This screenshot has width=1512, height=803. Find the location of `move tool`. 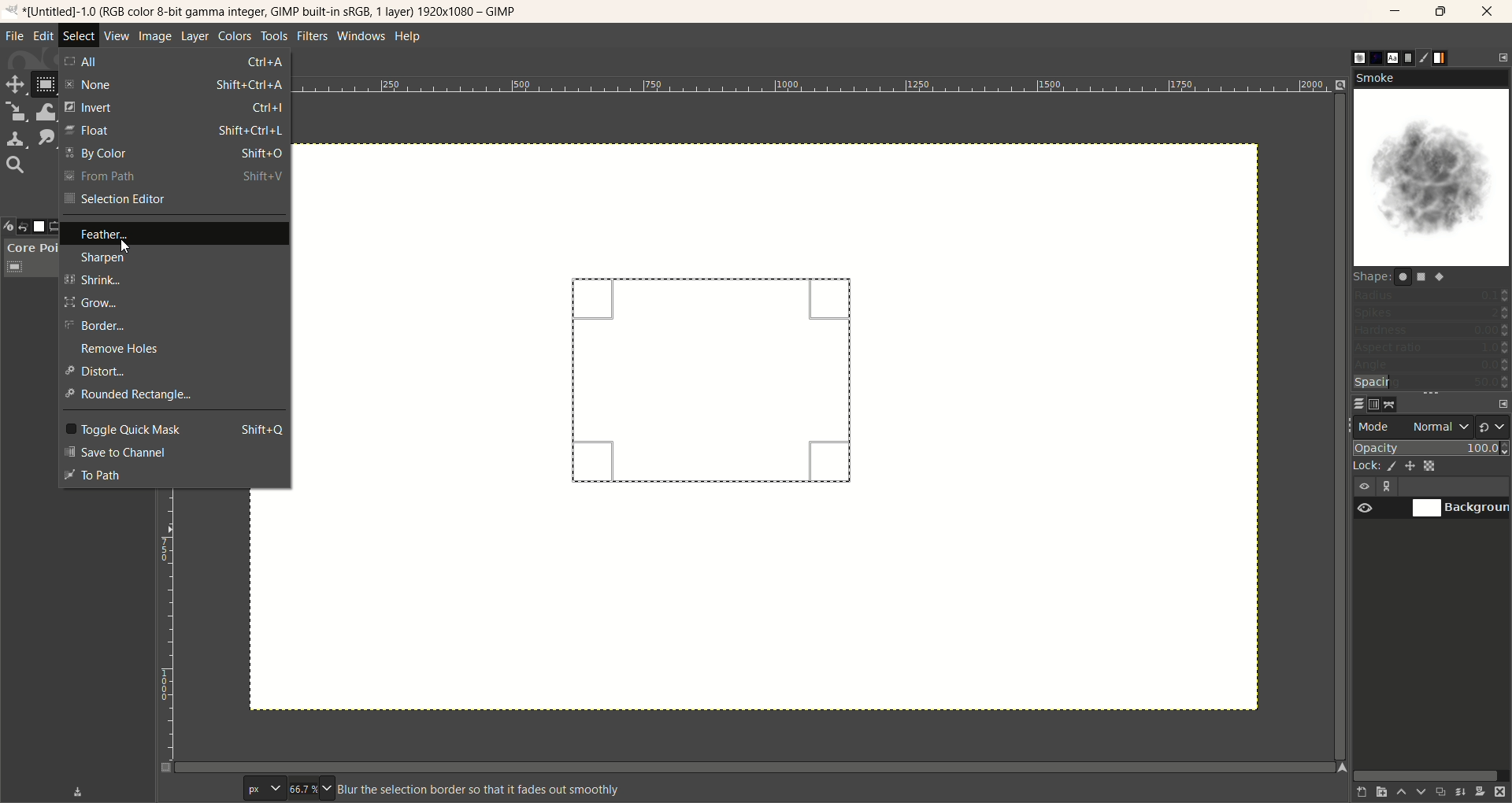

move tool is located at coordinates (14, 83).